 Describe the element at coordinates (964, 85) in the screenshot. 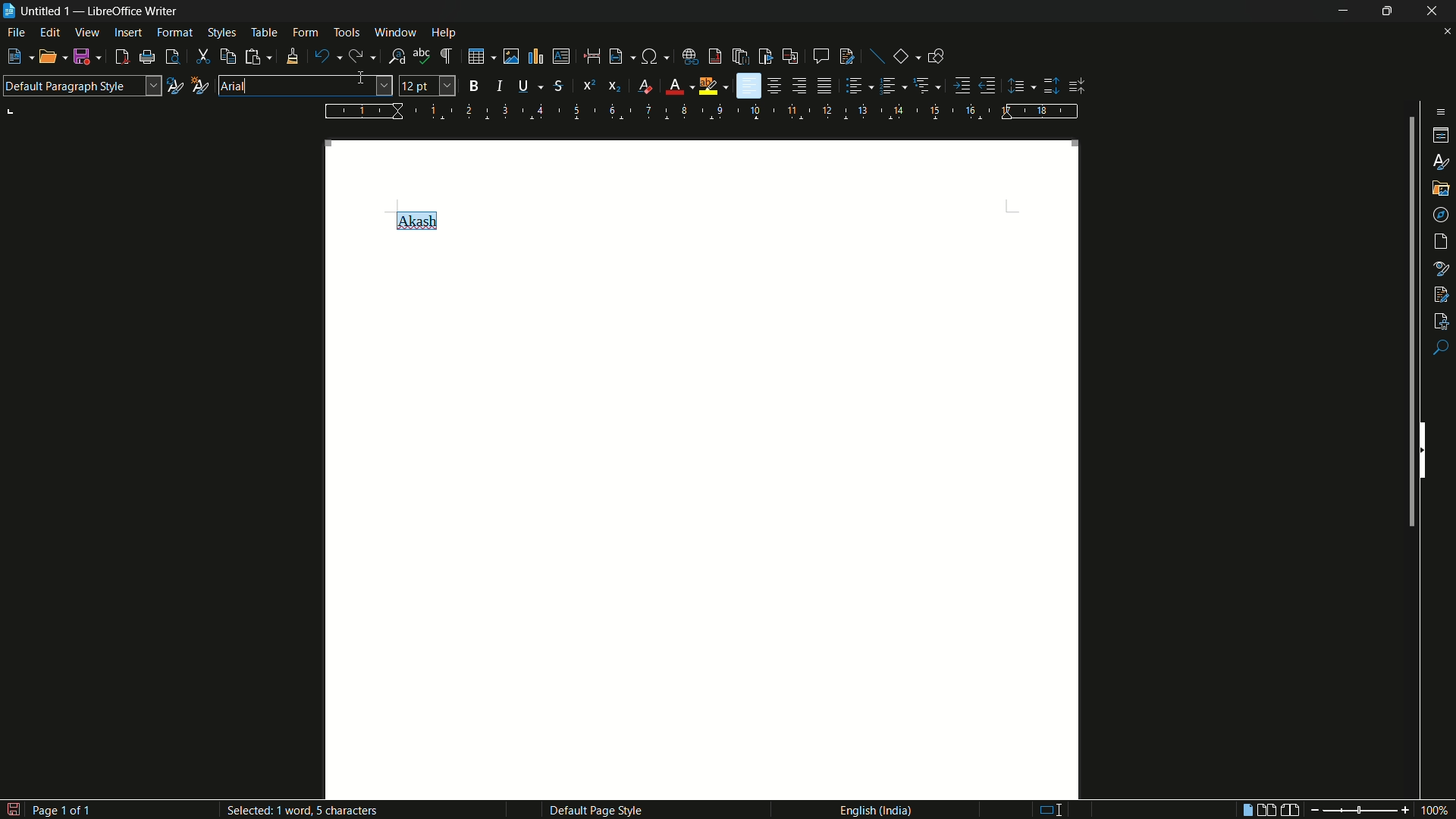

I see `increase indentation` at that location.